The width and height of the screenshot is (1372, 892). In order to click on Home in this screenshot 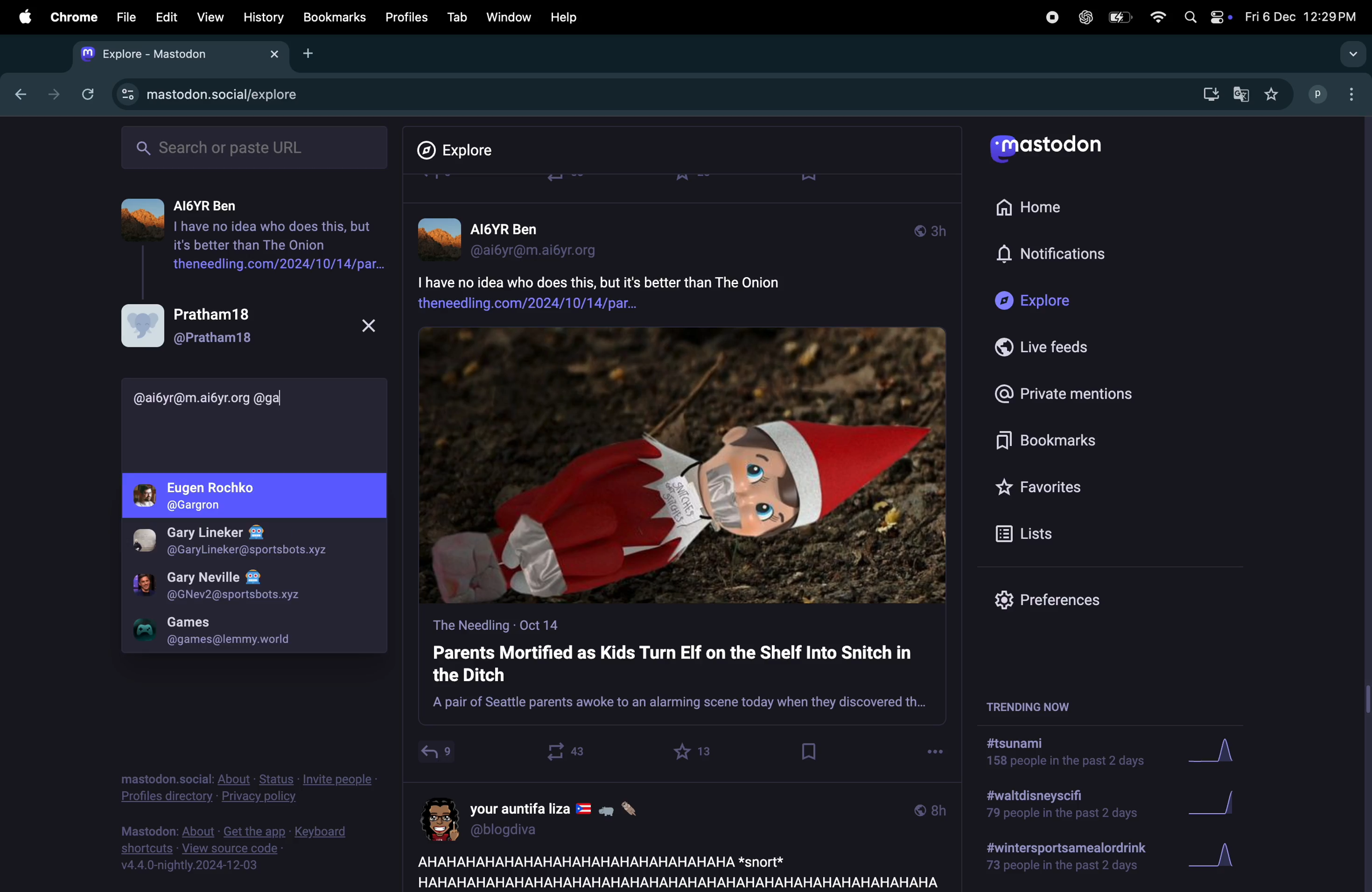, I will do `click(1036, 205)`.